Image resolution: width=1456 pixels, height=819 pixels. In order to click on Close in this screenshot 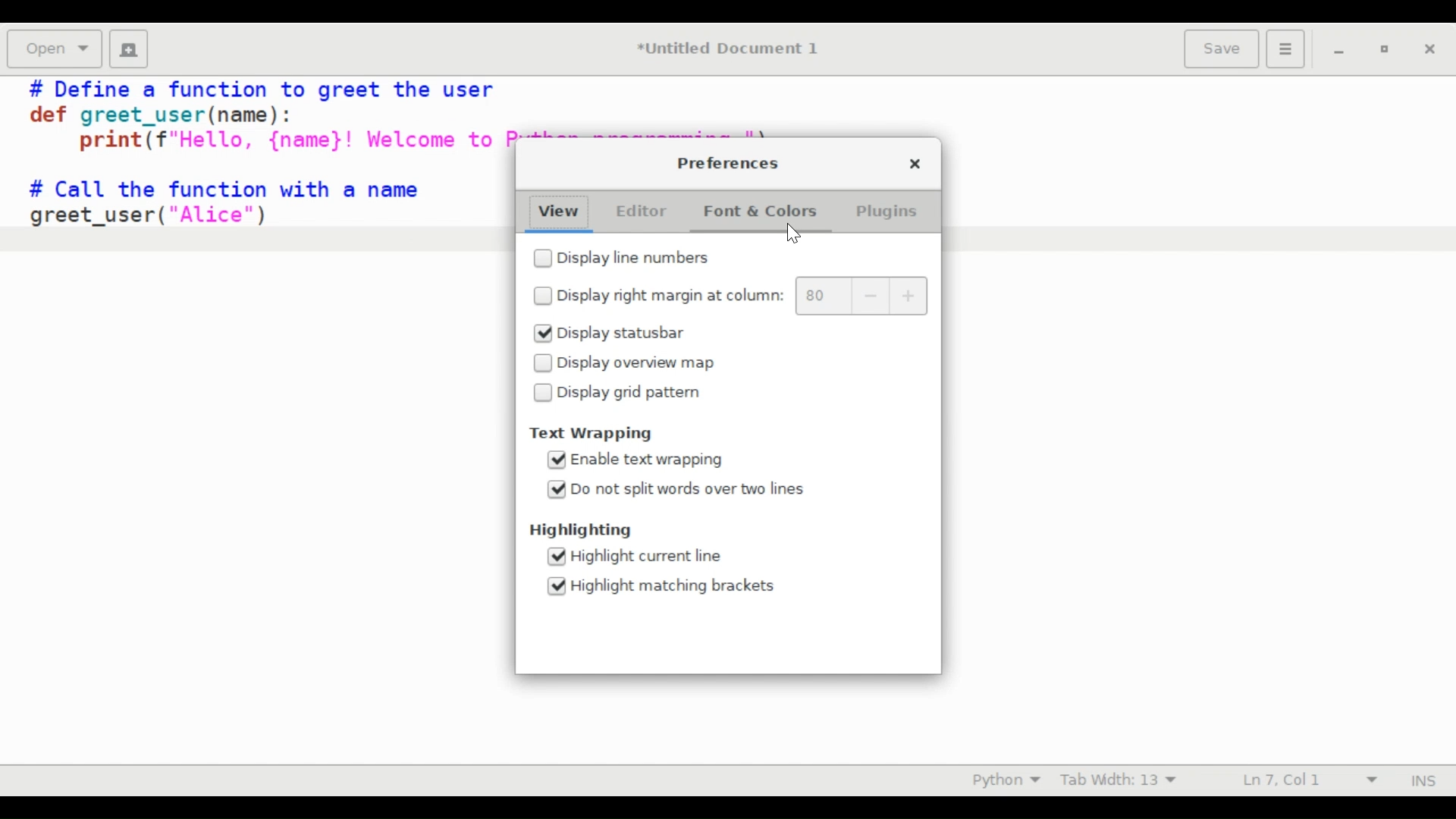, I will do `click(1428, 48)`.